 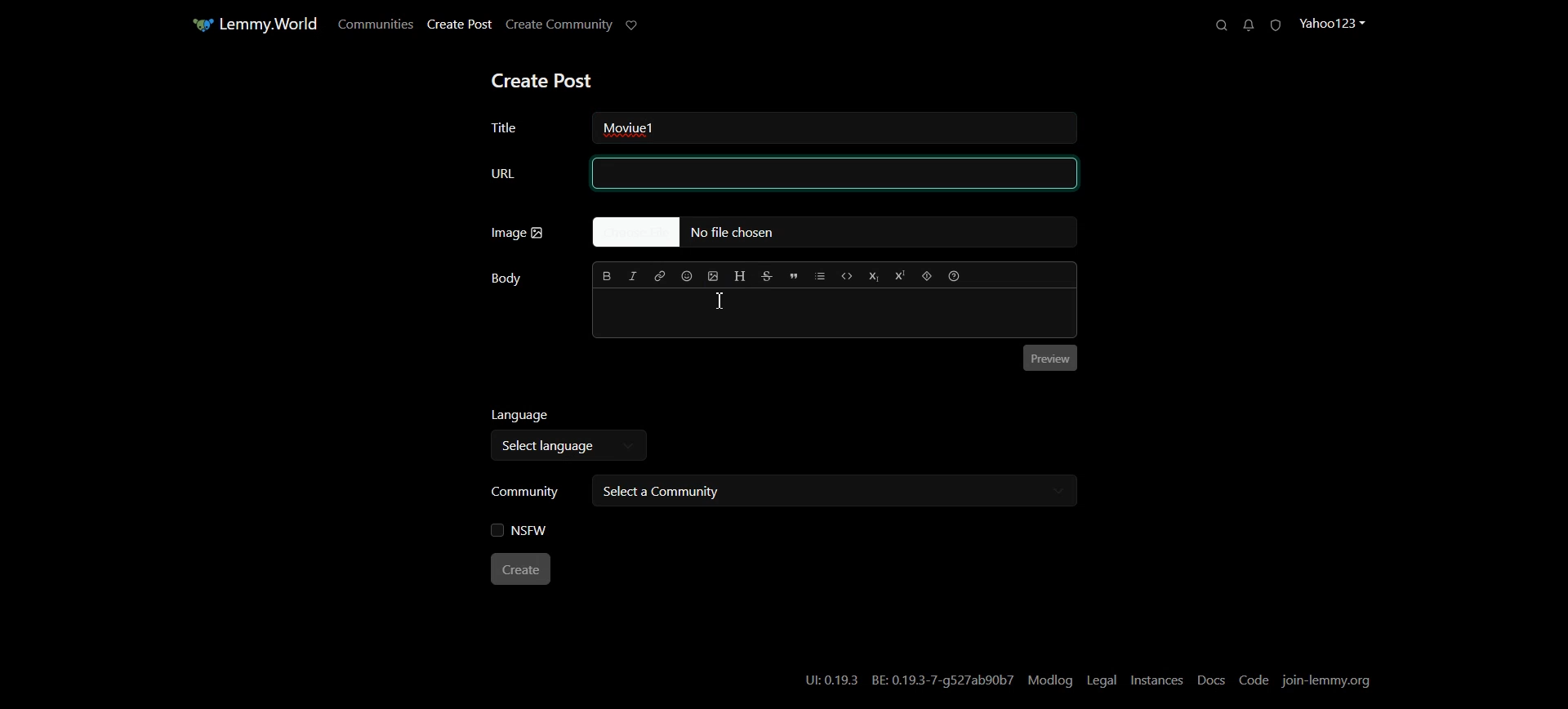 What do you see at coordinates (900, 275) in the screenshot?
I see `Superscript` at bounding box center [900, 275].